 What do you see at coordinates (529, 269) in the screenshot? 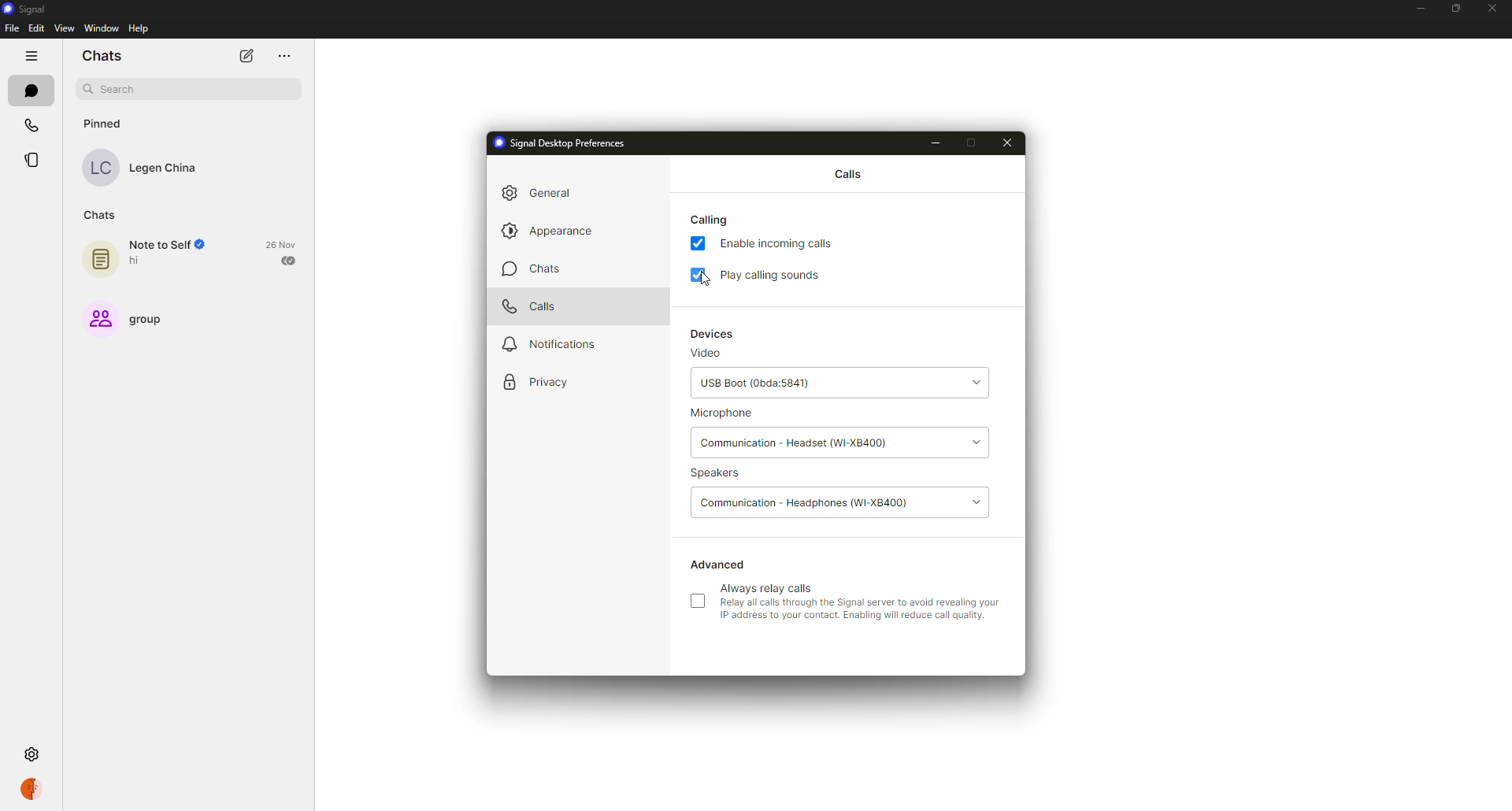
I see `chats` at bounding box center [529, 269].